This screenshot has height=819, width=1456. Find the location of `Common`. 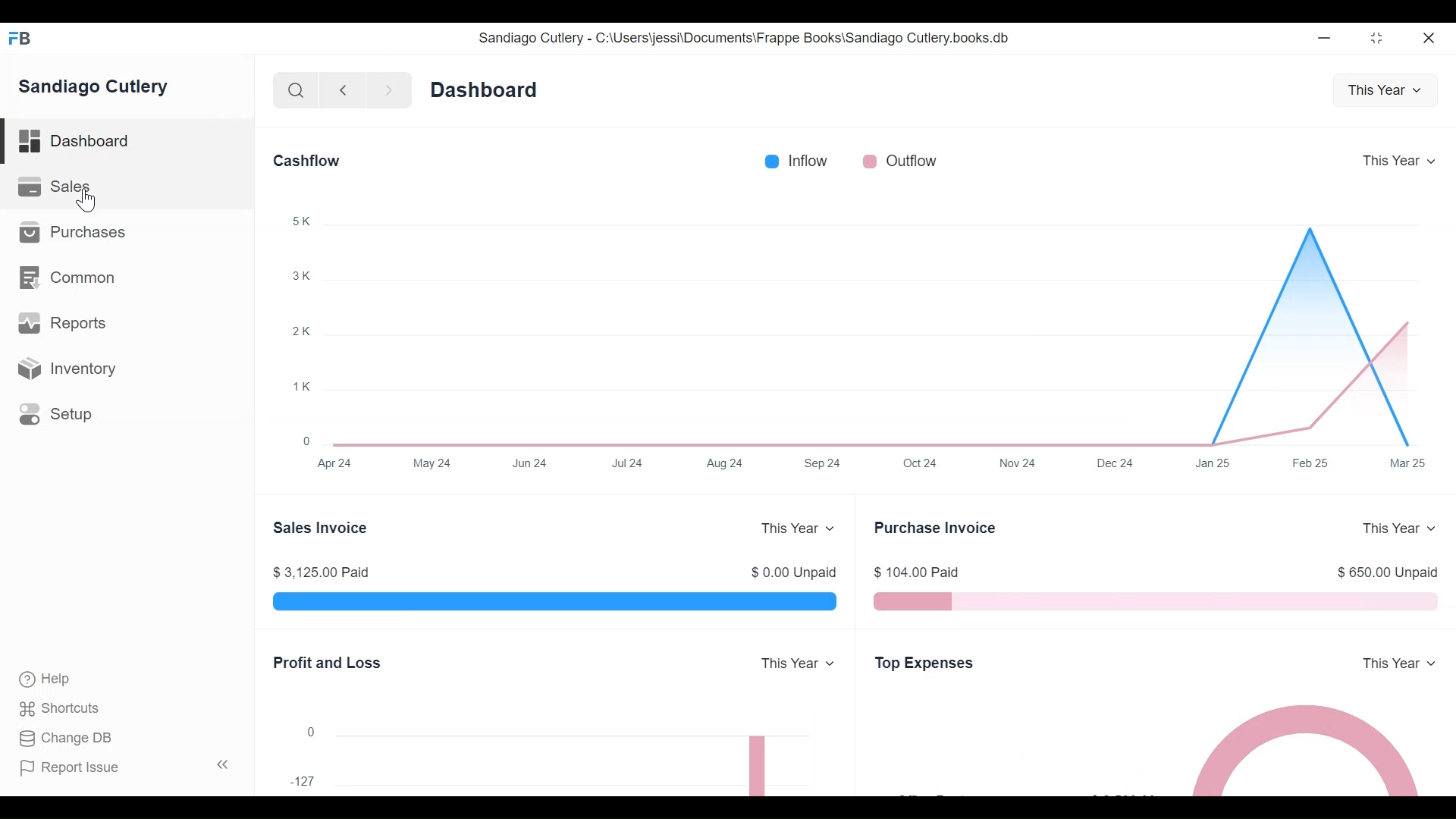

Common is located at coordinates (67, 278).